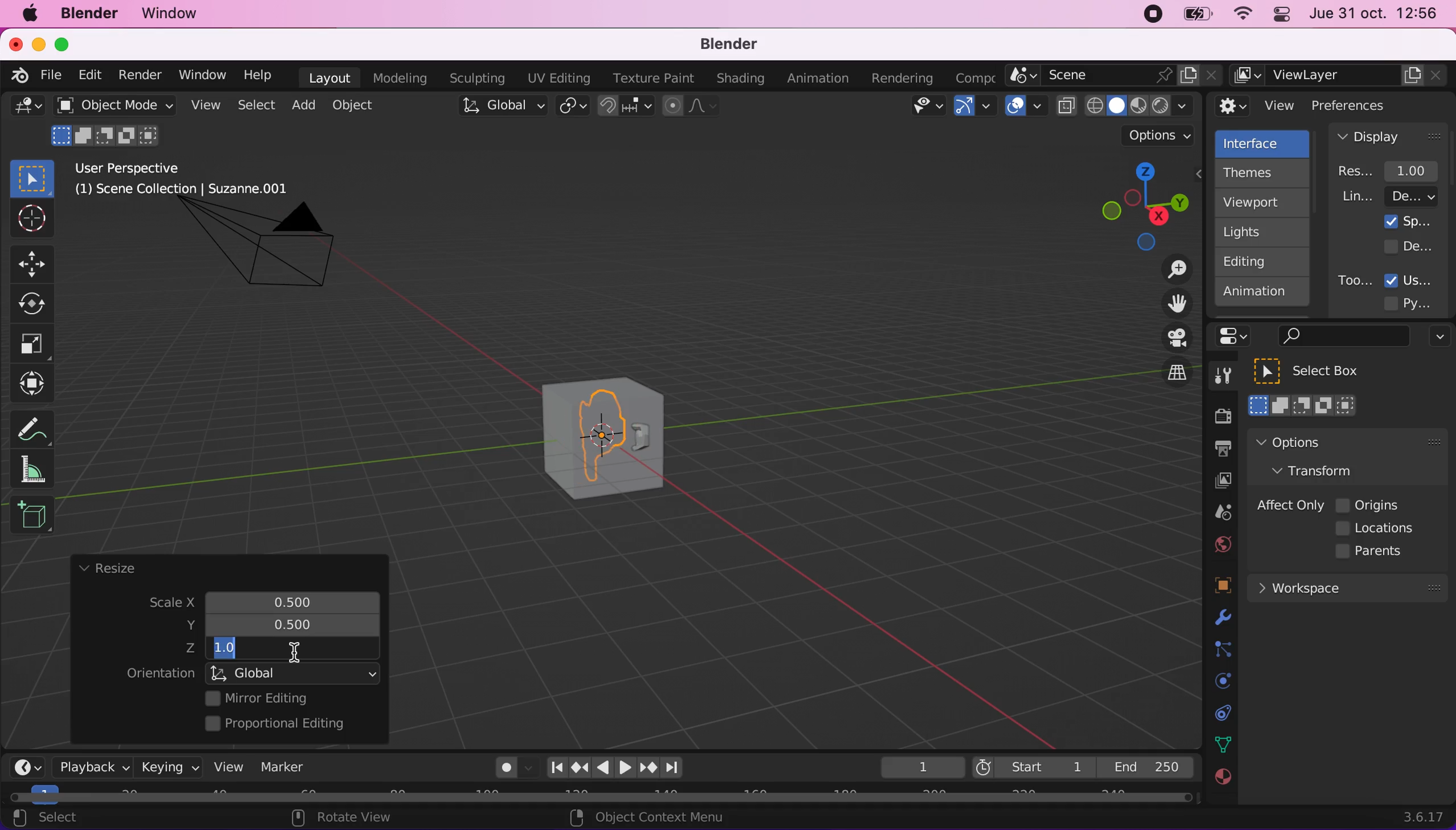  What do you see at coordinates (580, 767) in the screenshot?
I see `jump to keyframe` at bounding box center [580, 767].